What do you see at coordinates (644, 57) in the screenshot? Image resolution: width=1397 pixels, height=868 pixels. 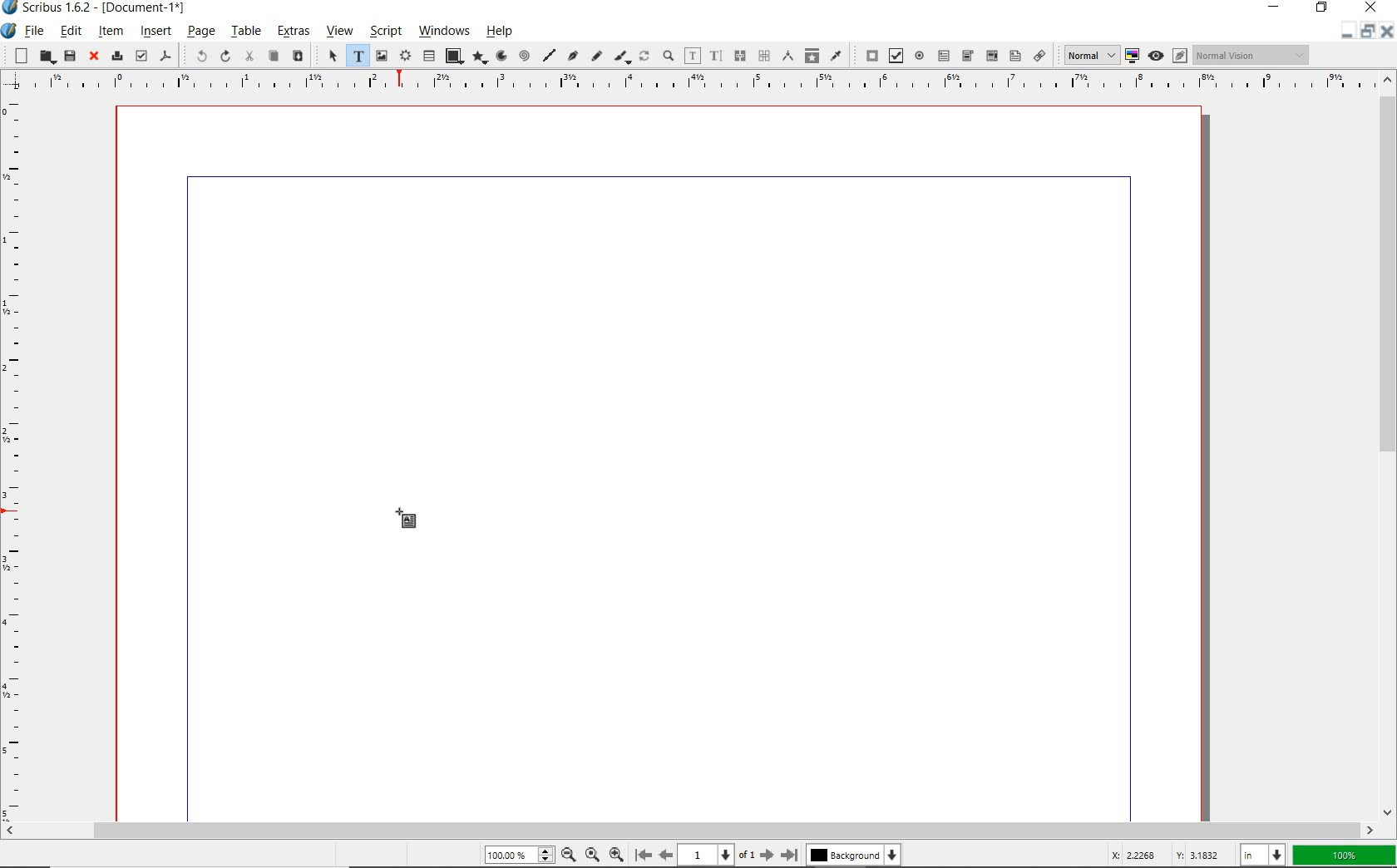 I see `rotate item` at bounding box center [644, 57].